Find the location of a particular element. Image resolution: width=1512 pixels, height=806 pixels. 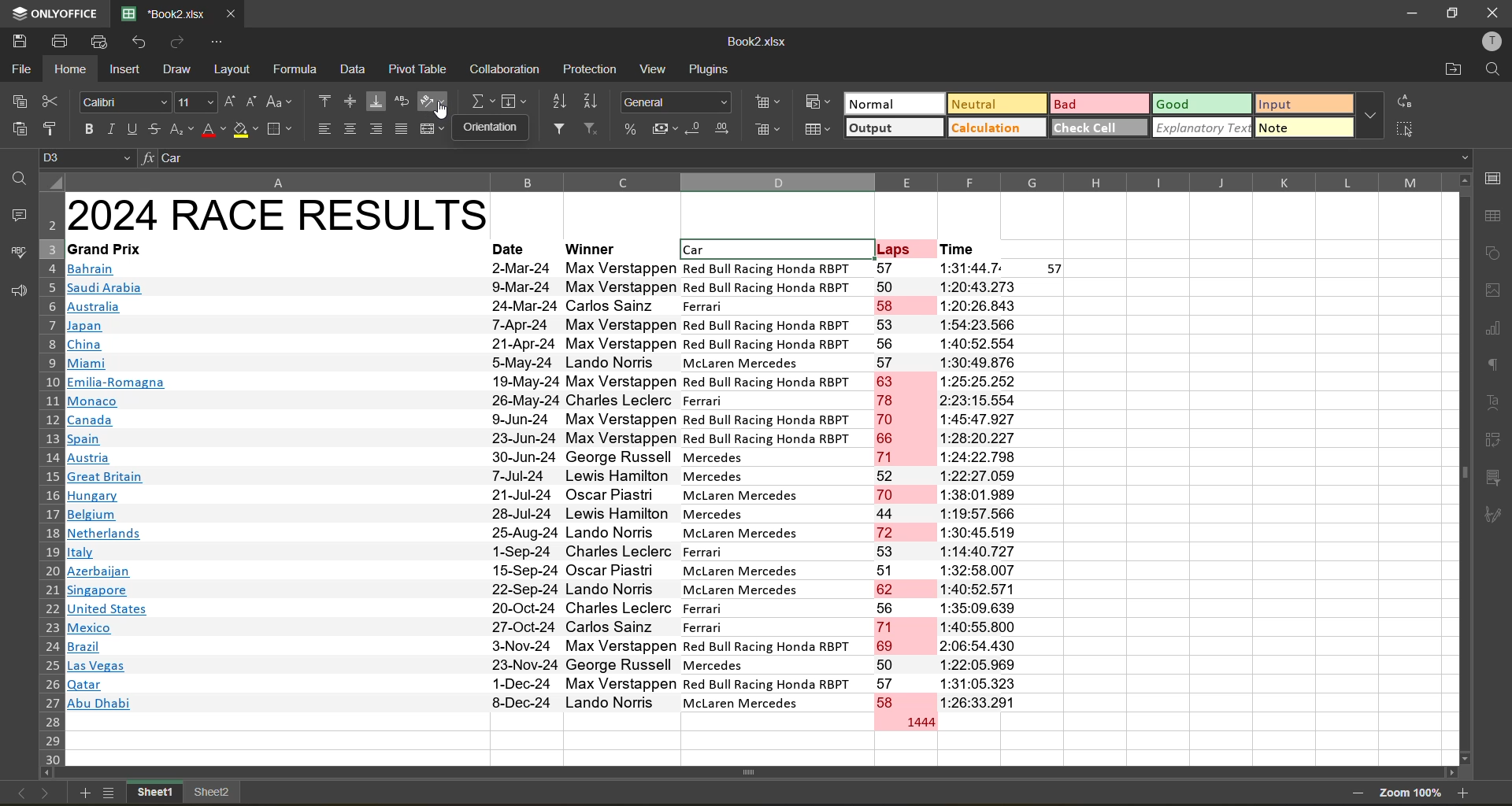

table is located at coordinates (1495, 217).